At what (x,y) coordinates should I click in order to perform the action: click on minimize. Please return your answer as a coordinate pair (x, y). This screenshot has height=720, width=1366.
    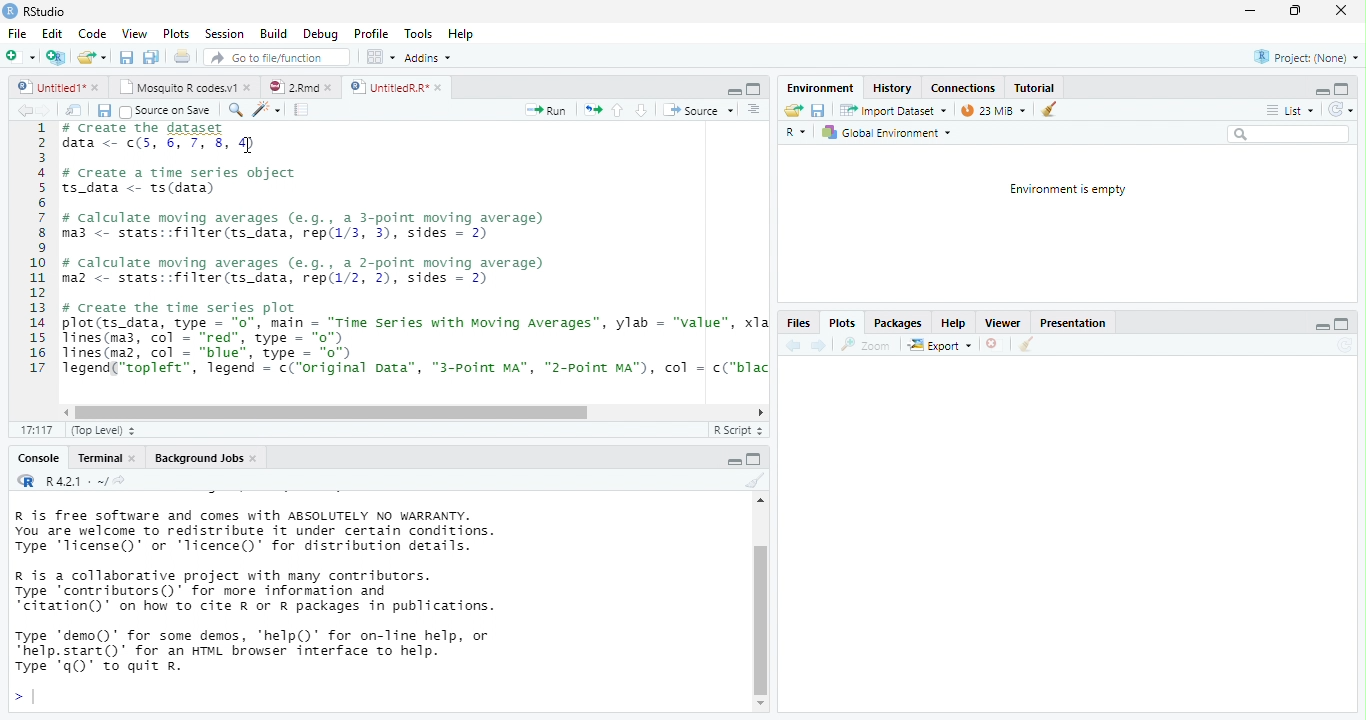
    Looking at the image, I should click on (754, 458).